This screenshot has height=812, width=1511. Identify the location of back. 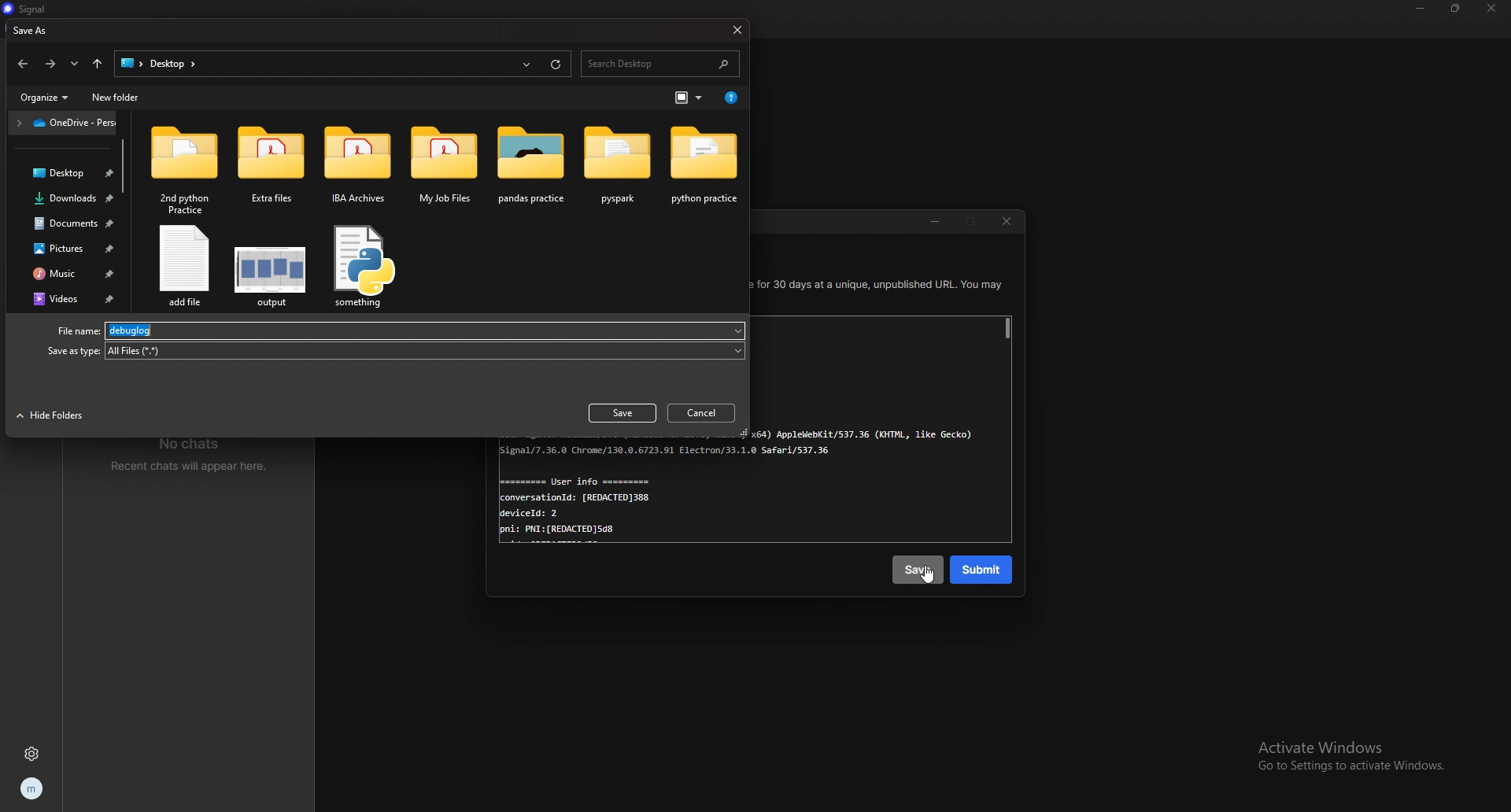
(22, 65).